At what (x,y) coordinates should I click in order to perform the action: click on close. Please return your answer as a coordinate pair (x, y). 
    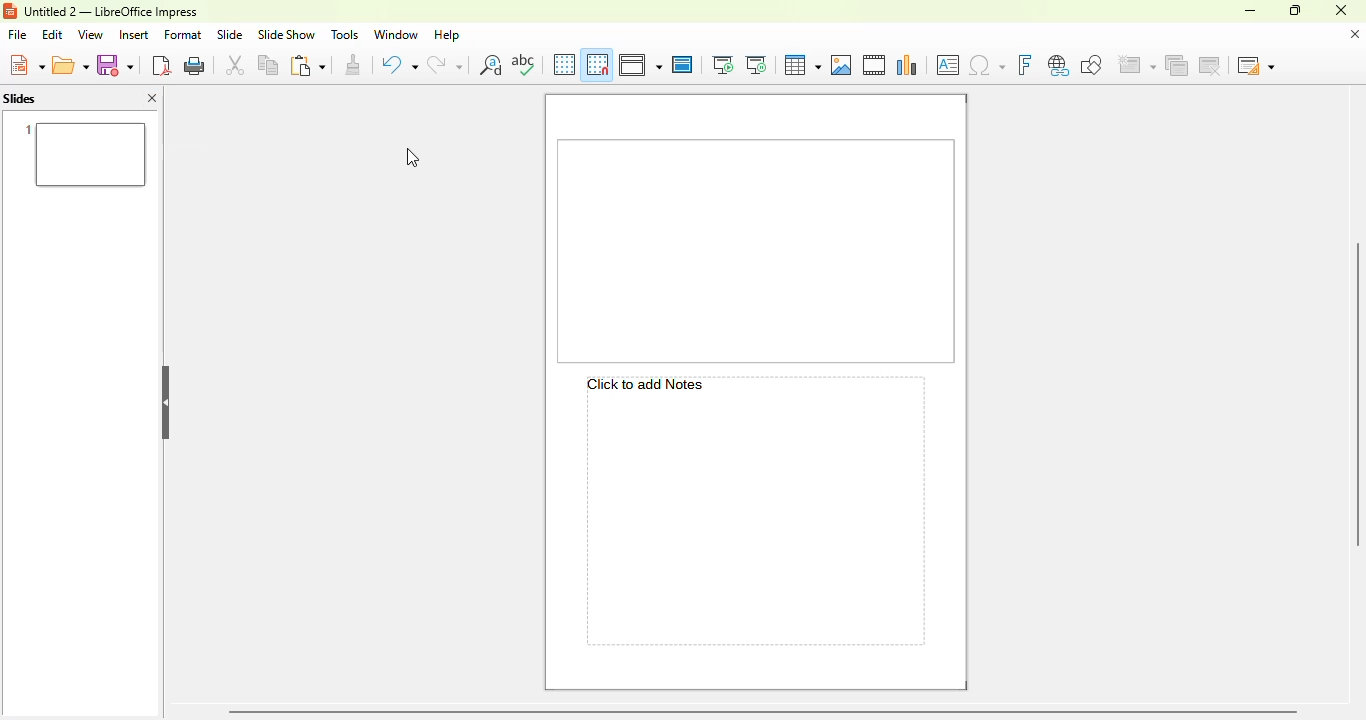
    Looking at the image, I should click on (1341, 10).